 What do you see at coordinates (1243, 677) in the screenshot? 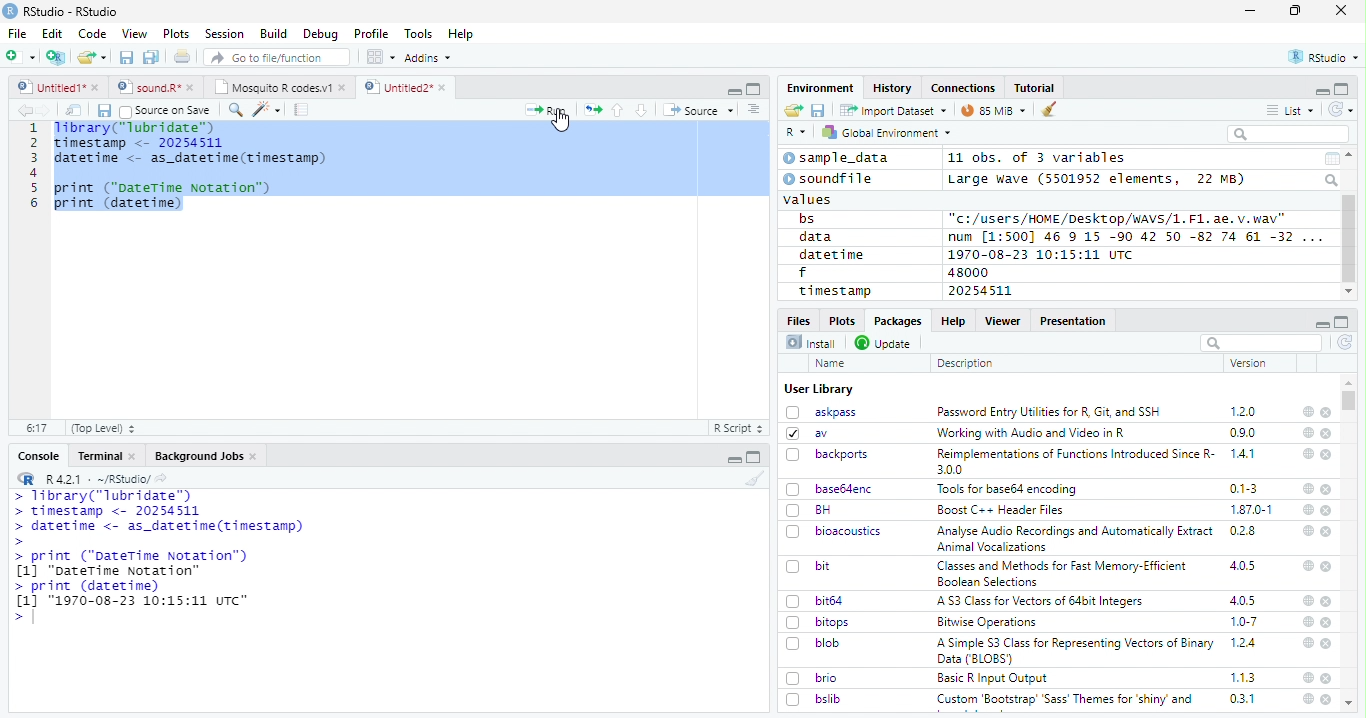
I see `1.1.3` at bounding box center [1243, 677].